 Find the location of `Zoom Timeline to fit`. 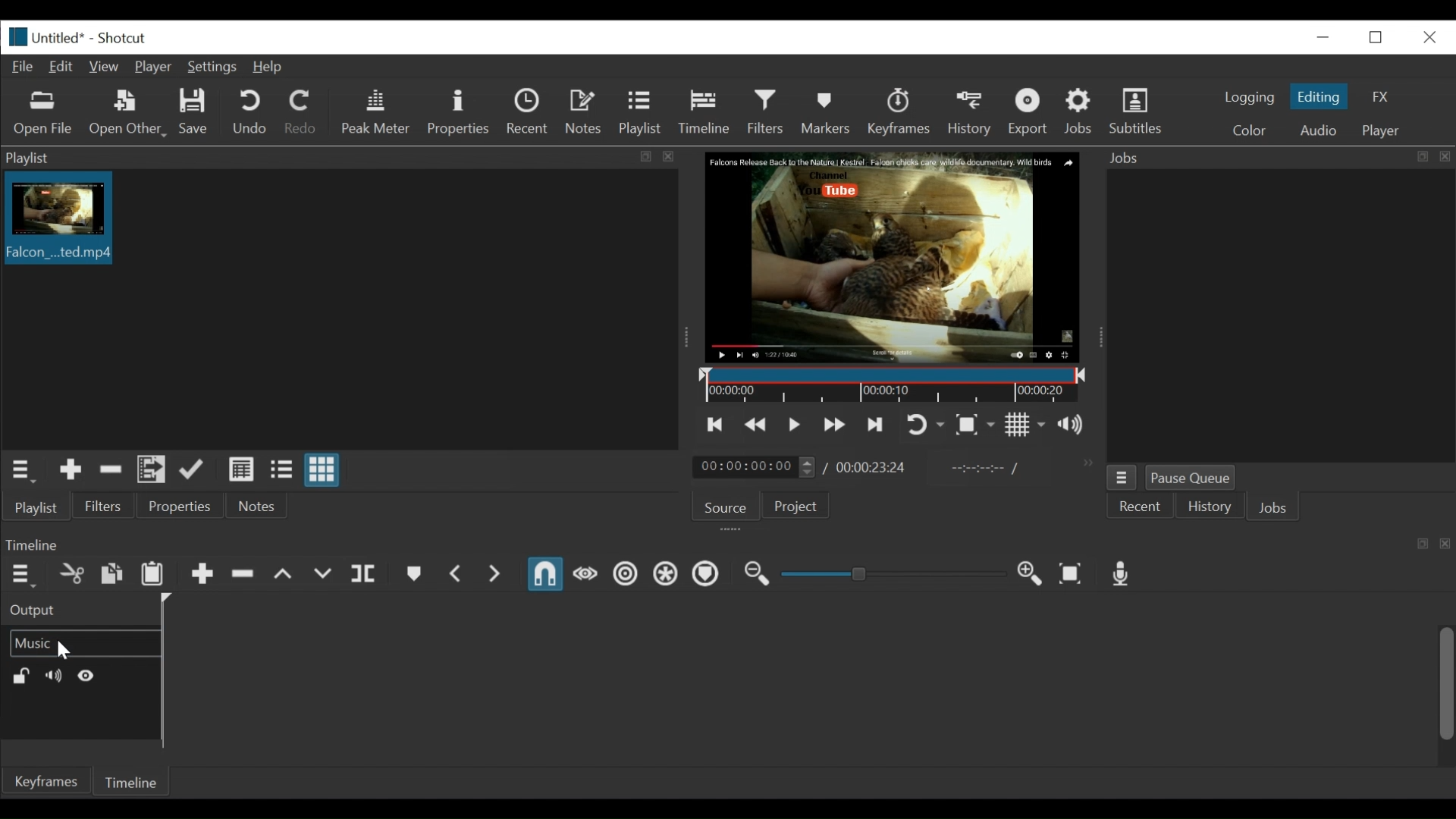

Zoom Timeline to fit is located at coordinates (1071, 573).